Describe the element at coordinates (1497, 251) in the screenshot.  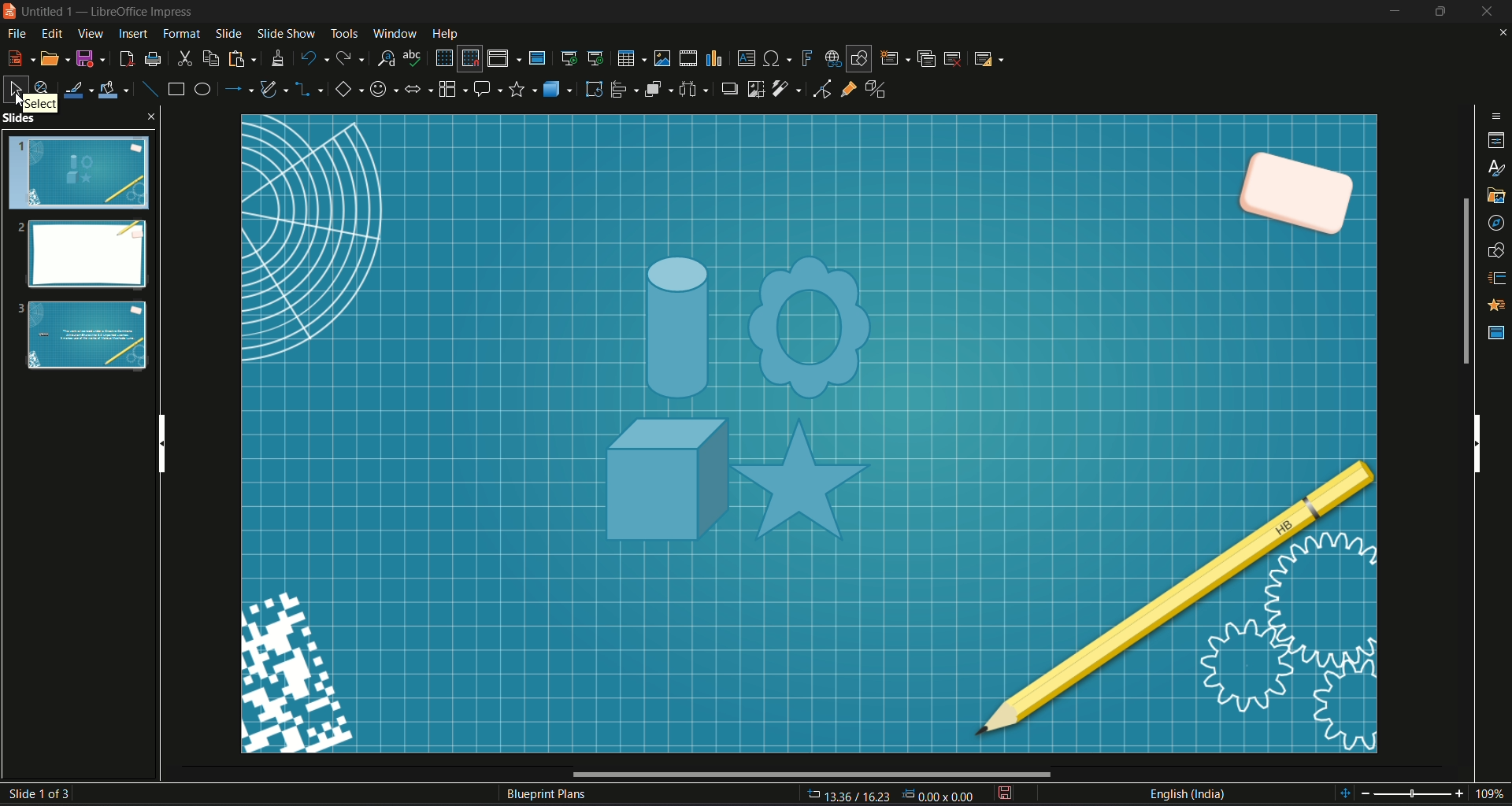
I see `shapes` at that location.